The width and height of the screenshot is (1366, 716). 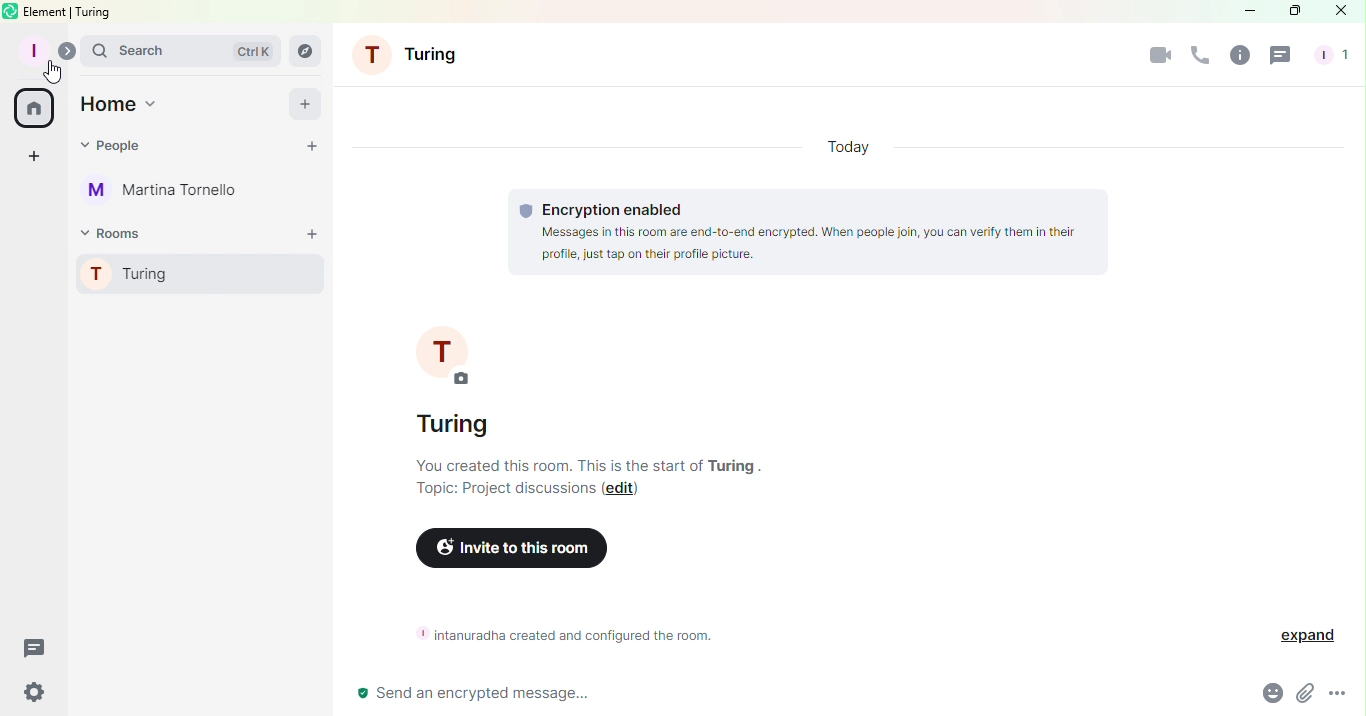 I want to click on Attachment, so click(x=1302, y=695).